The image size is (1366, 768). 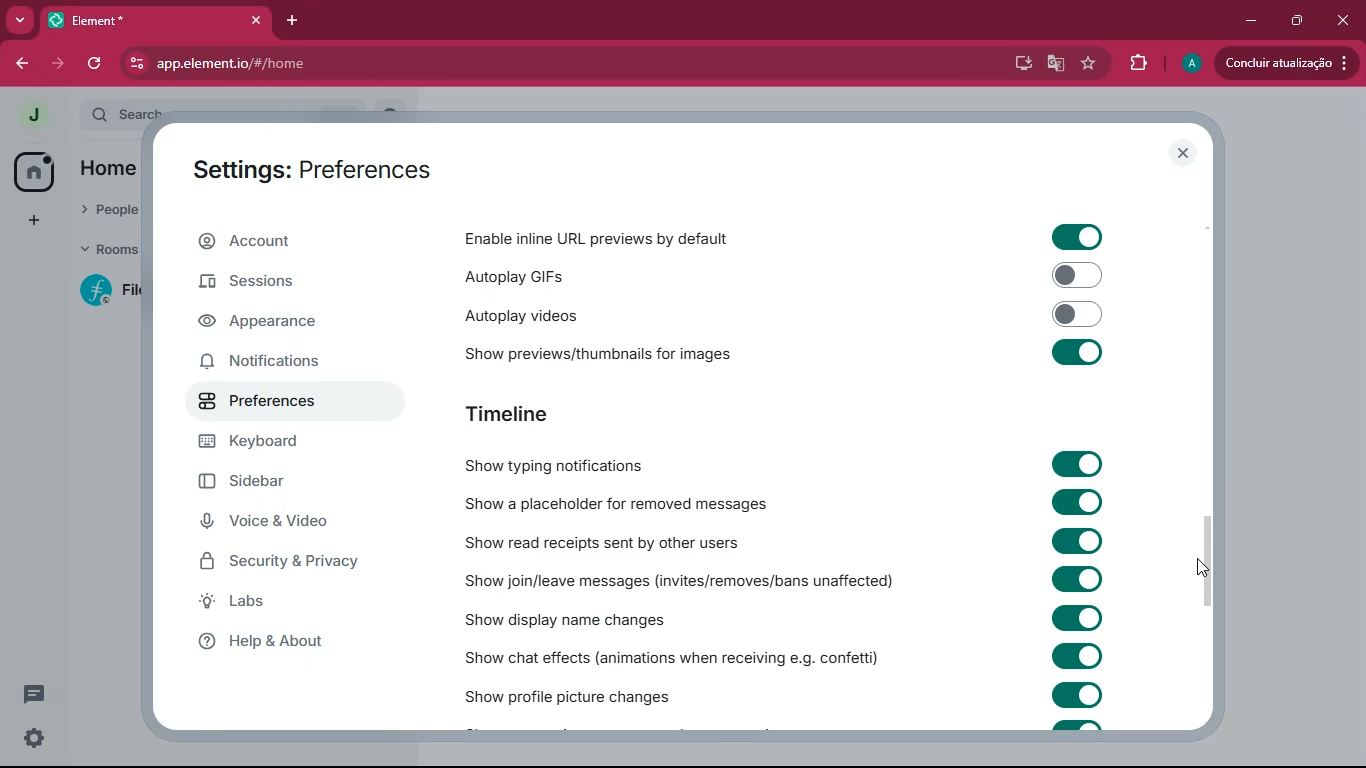 I want to click on show join/leave messages (invites/removes/bans unaffected), so click(x=681, y=580).